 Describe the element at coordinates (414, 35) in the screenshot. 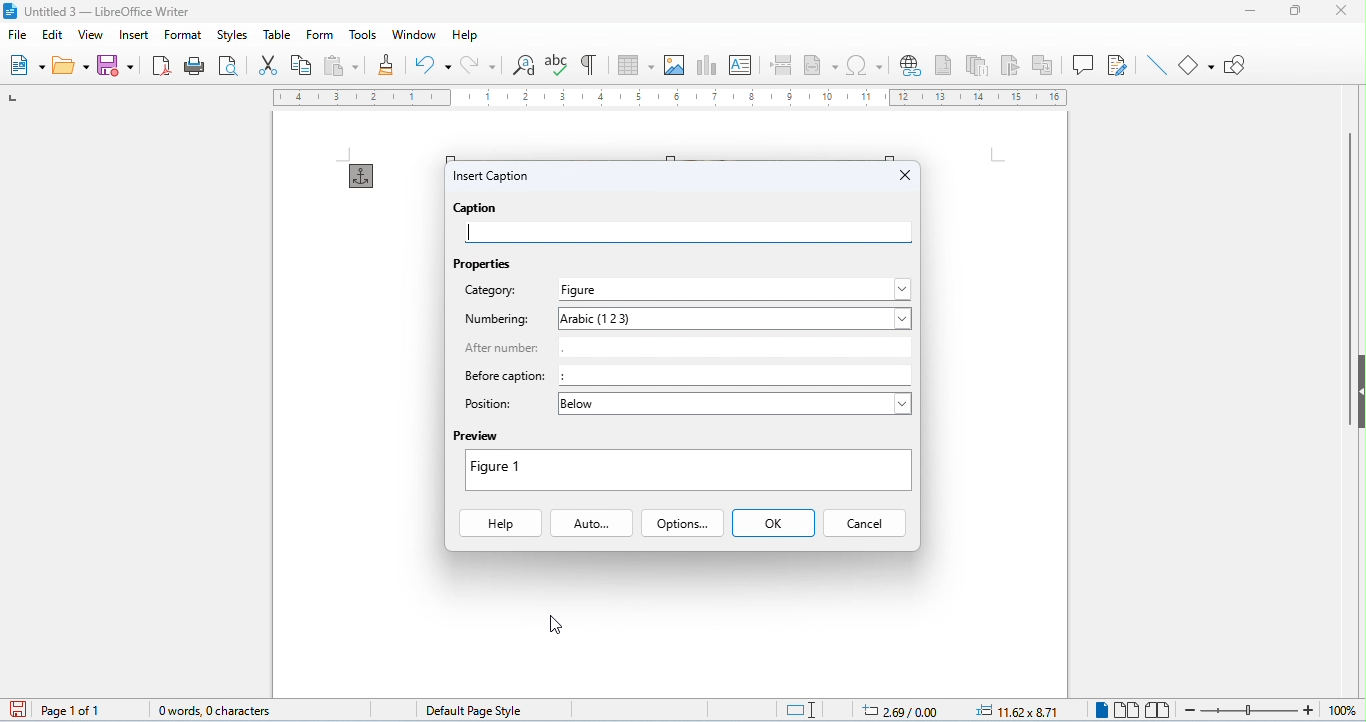

I see `window` at that location.